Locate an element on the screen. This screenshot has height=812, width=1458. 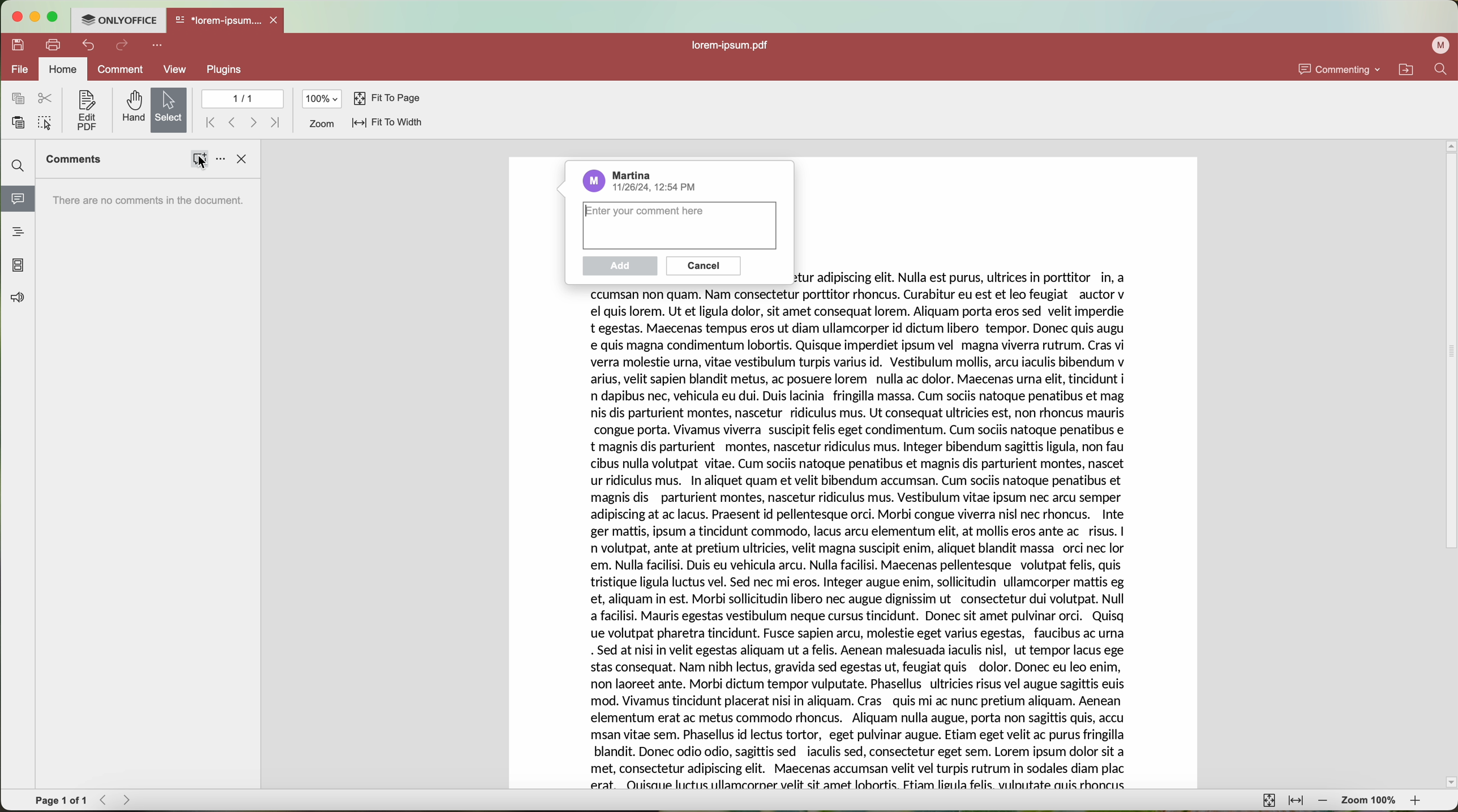
Martina is located at coordinates (632, 174).